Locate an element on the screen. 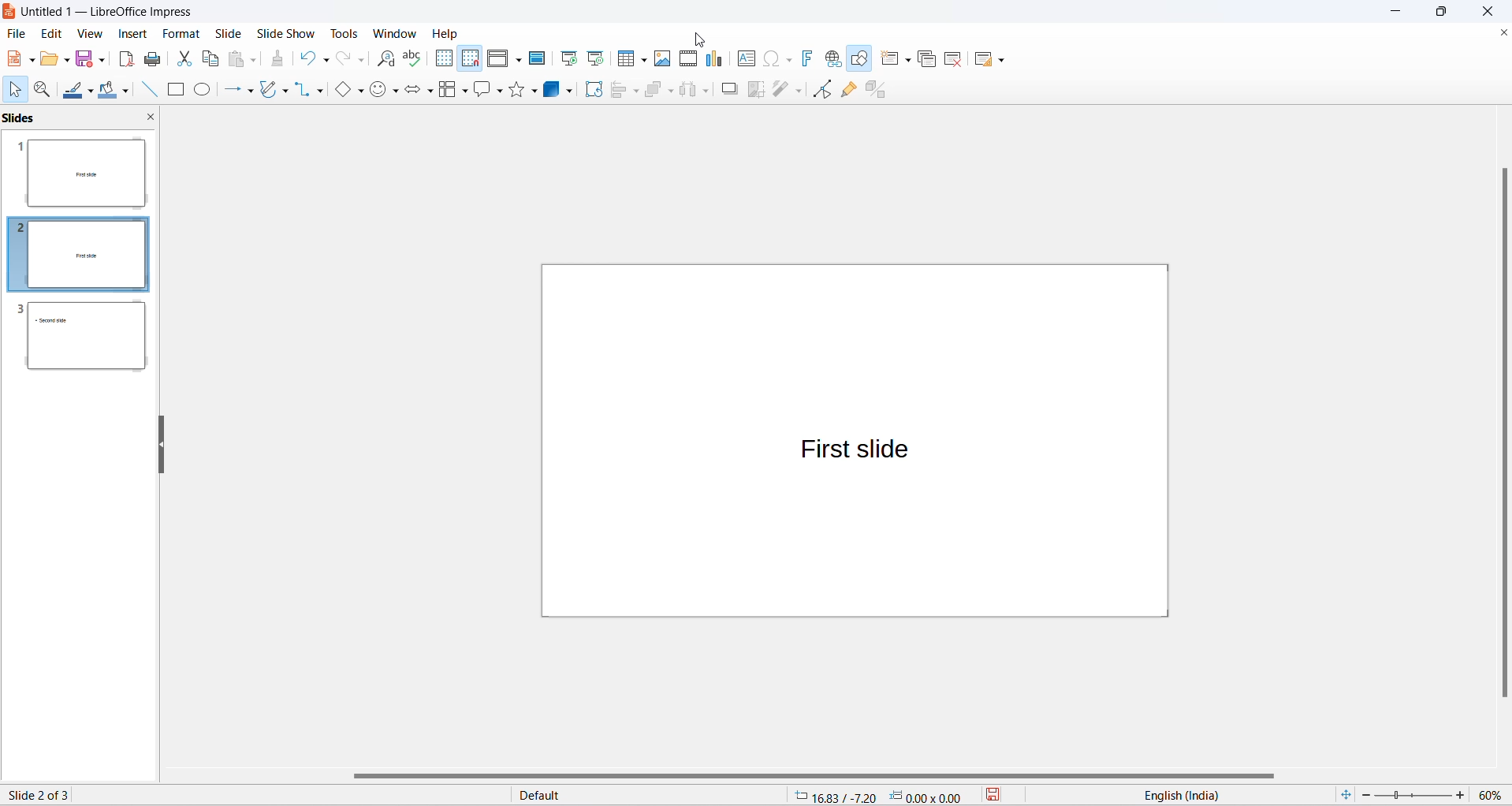 This screenshot has width=1512, height=806. help is located at coordinates (445, 32).